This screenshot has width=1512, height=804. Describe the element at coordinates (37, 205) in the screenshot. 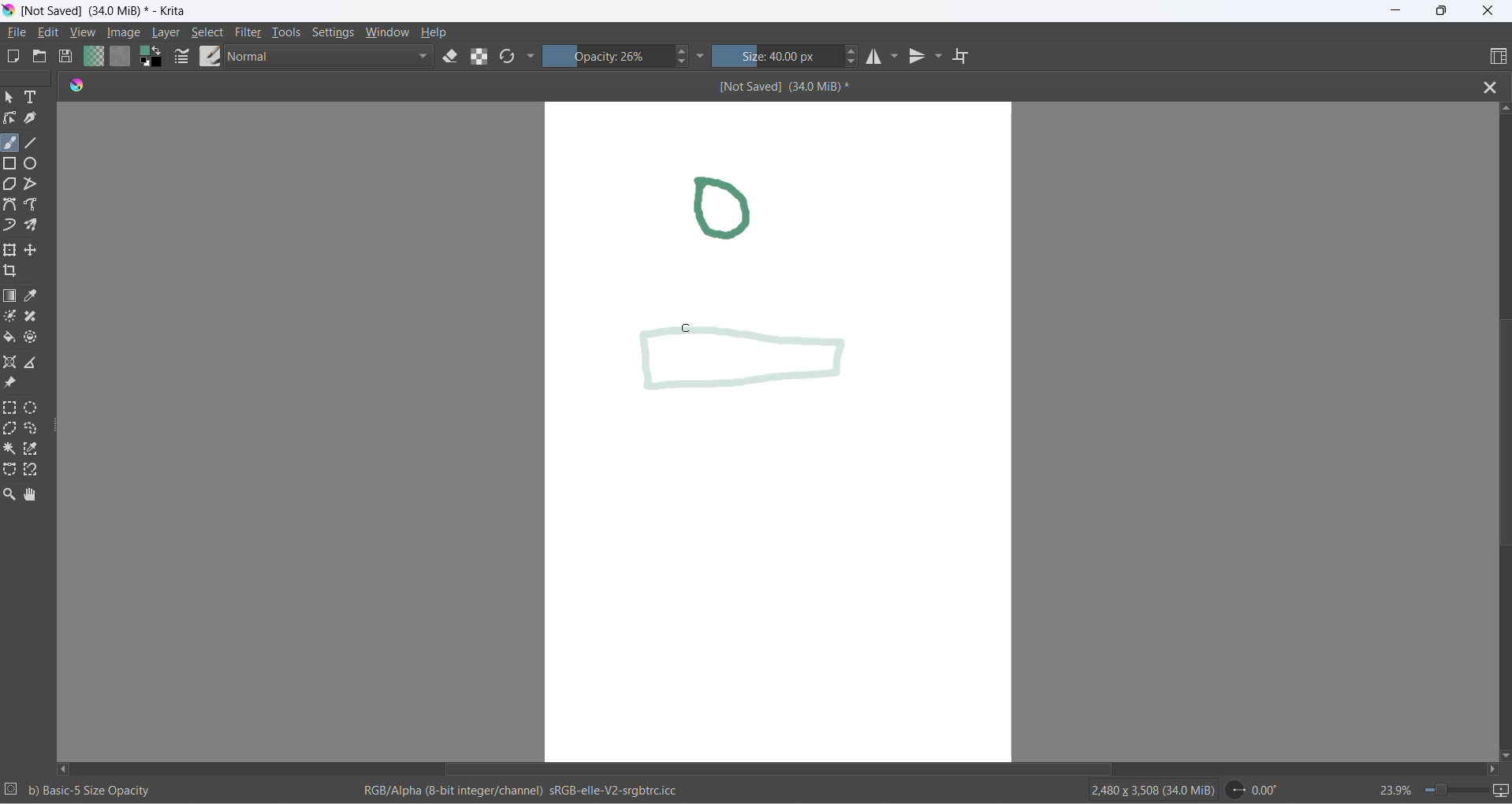

I see `freehand path tool` at that location.